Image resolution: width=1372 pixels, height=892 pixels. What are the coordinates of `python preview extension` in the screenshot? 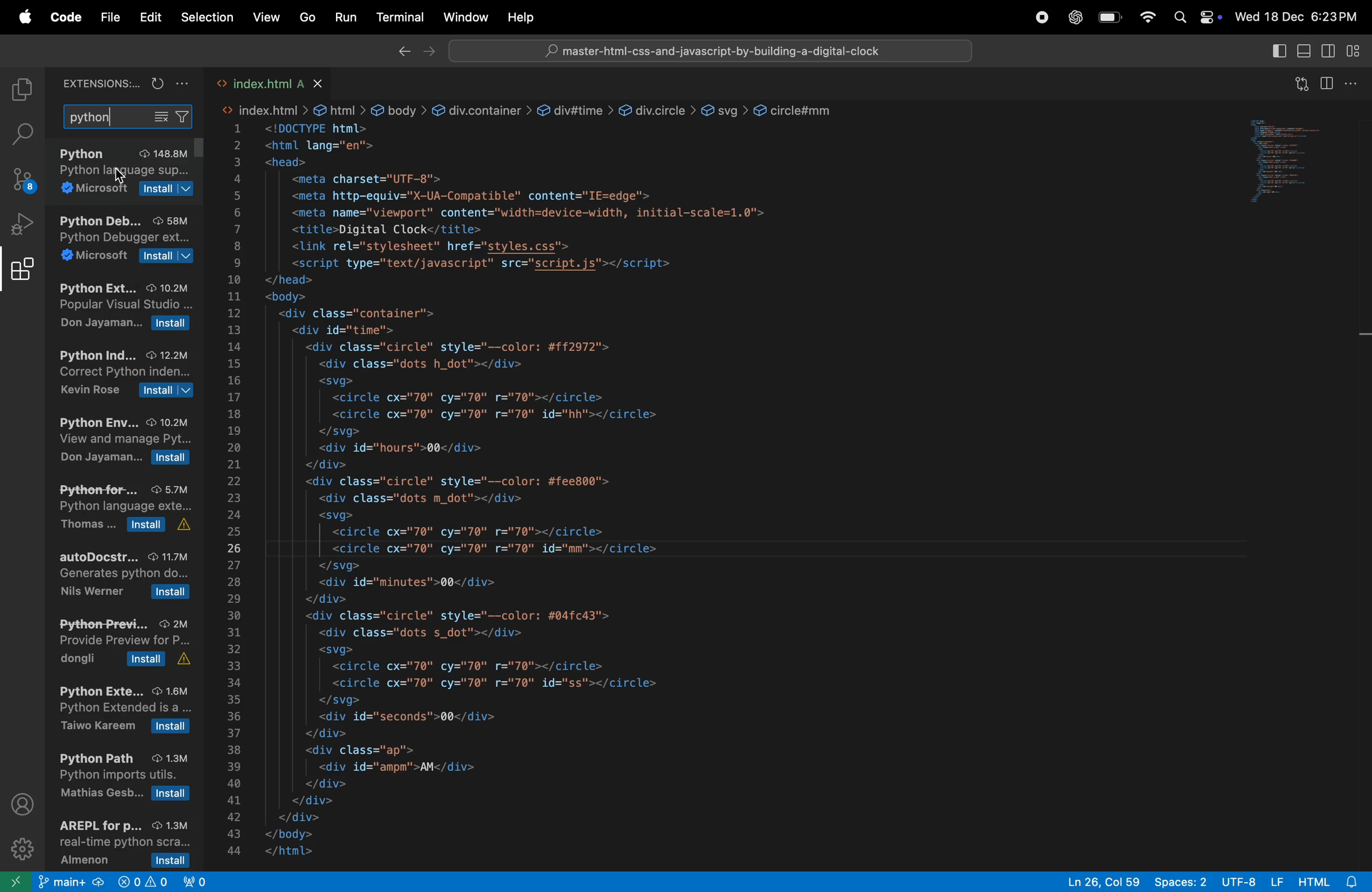 It's located at (121, 641).